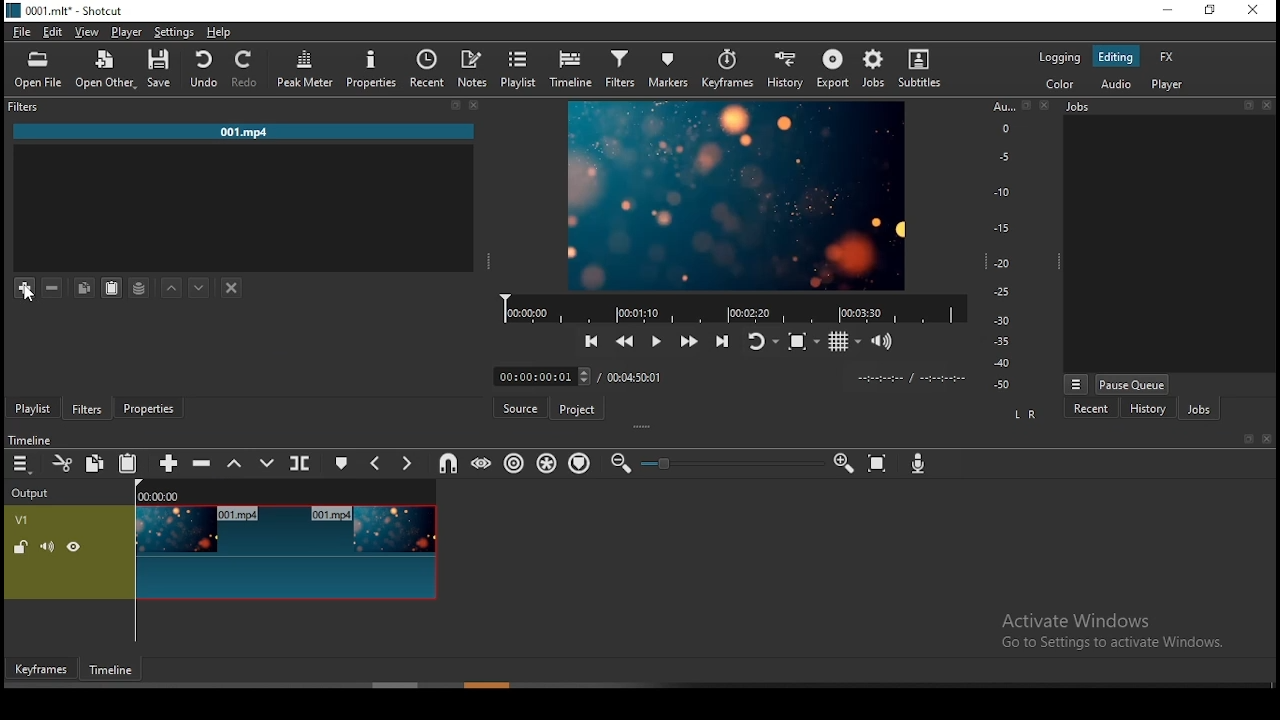 This screenshot has height=720, width=1280. What do you see at coordinates (86, 31) in the screenshot?
I see `view` at bounding box center [86, 31].